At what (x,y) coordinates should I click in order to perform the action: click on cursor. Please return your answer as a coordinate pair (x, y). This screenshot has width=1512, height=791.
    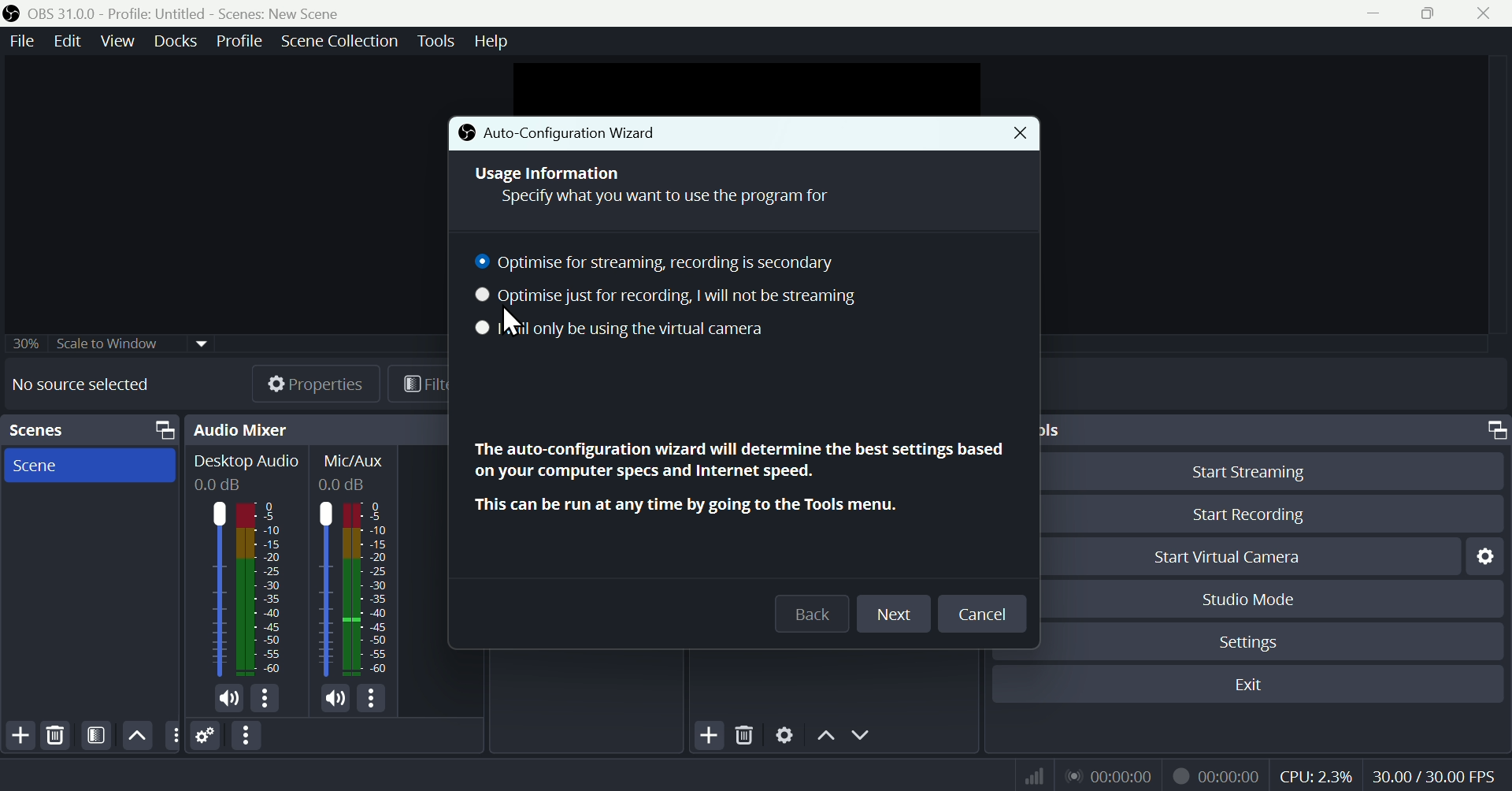
    Looking at the image, I should click on (514, 322).